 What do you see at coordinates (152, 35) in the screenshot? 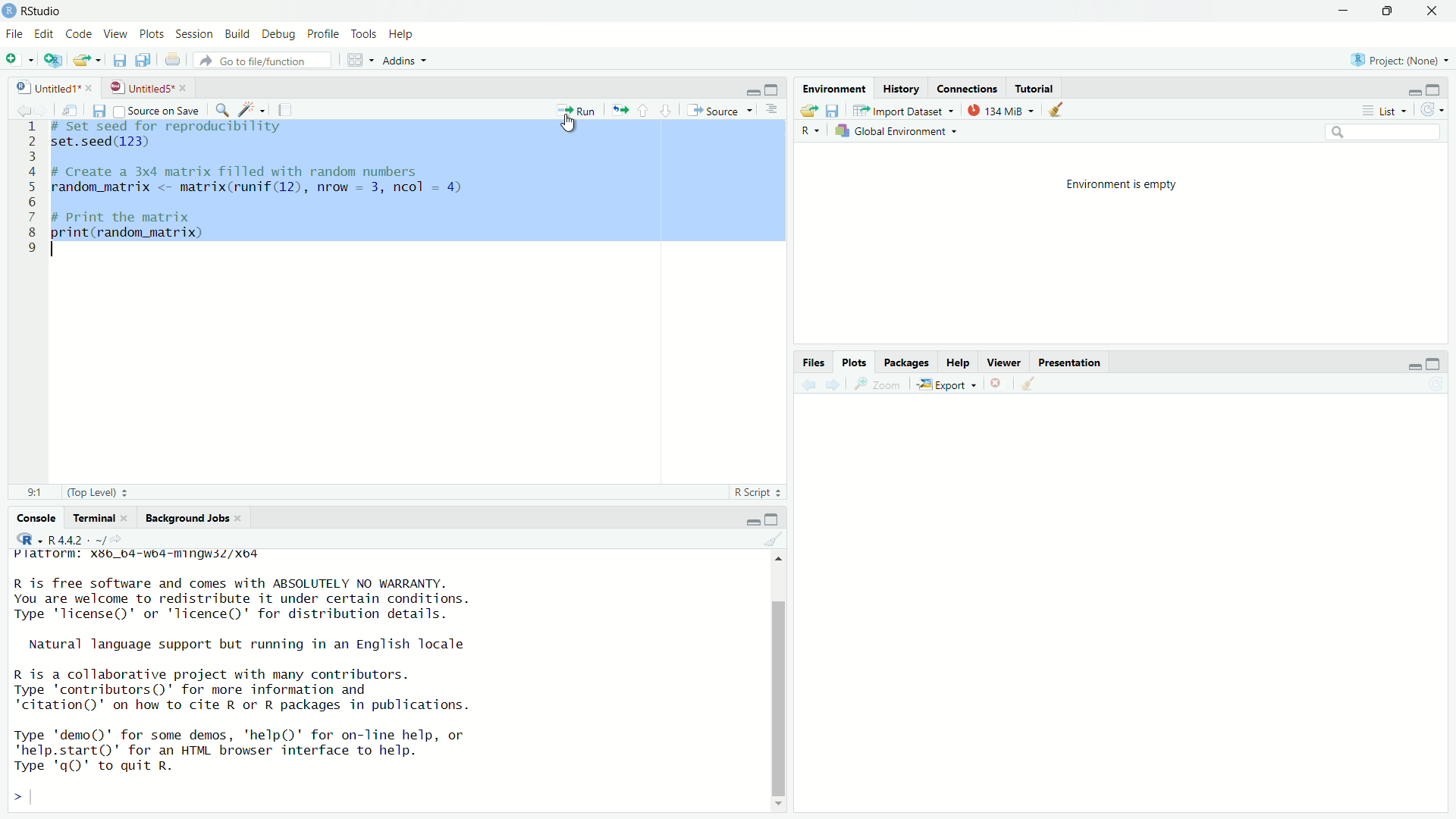
I see `Plots` at bounding box center [152, 35].